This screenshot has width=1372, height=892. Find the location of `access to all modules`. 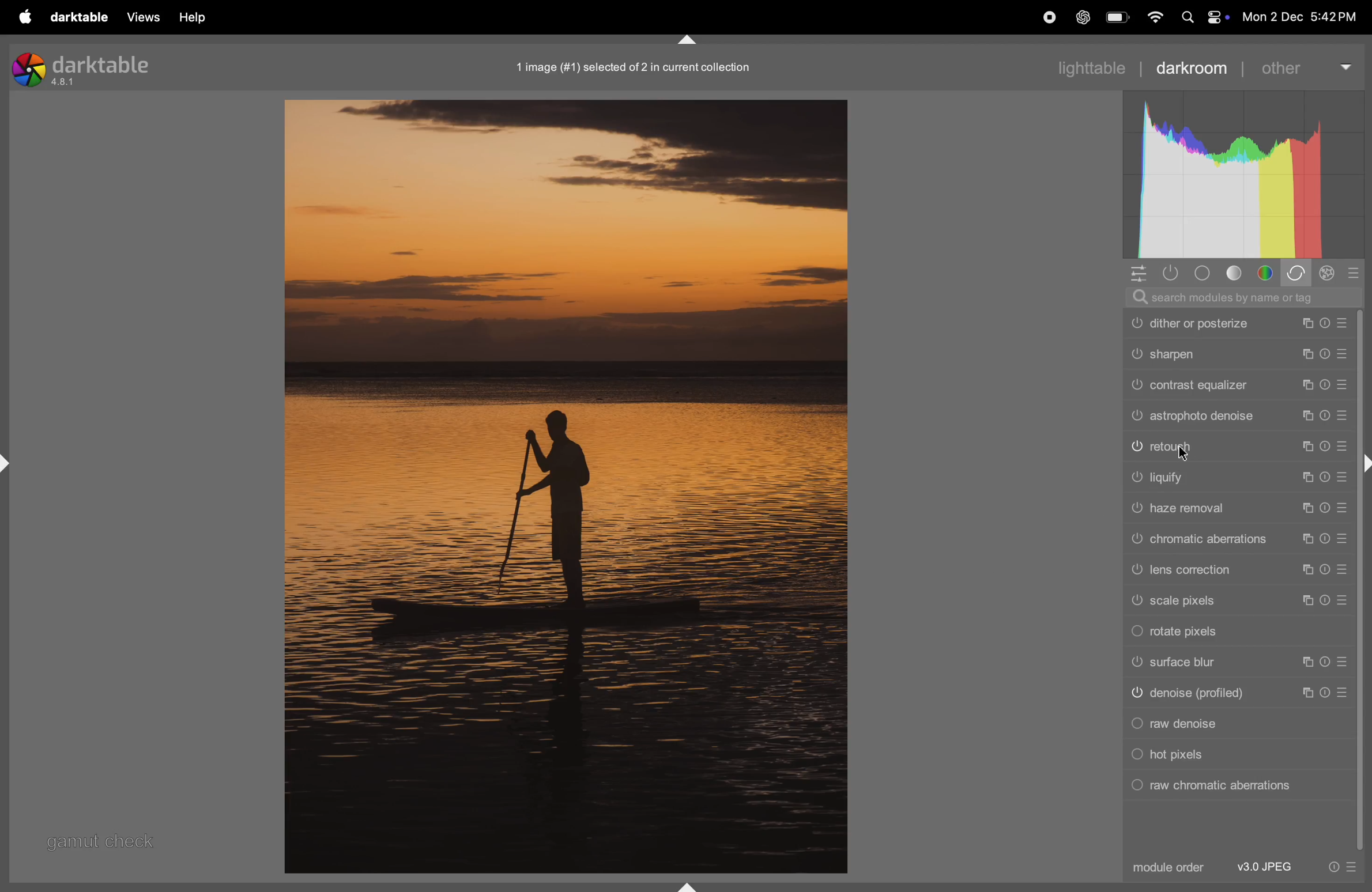

access to all modules is located at coordinates (1139, 273).